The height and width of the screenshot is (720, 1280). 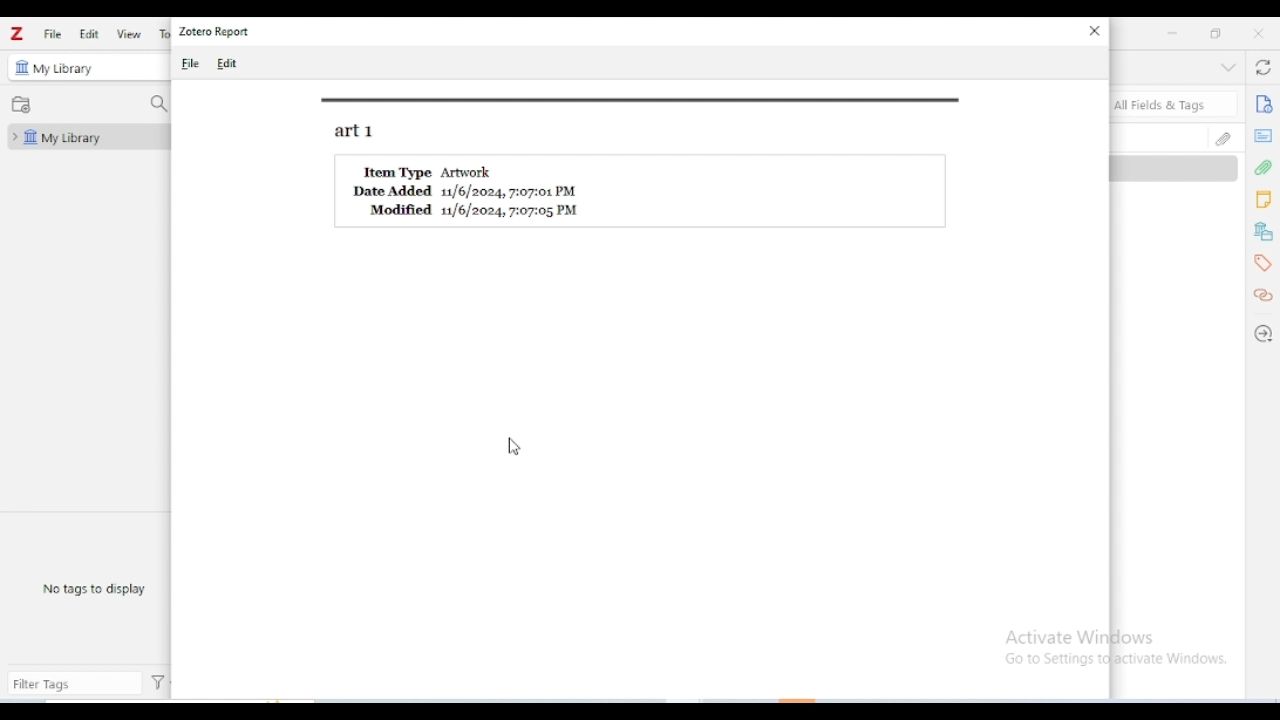 What do you see at coordinates (354, 132) in the screenshot?
I see `art1` at bounding box center [354, 132].